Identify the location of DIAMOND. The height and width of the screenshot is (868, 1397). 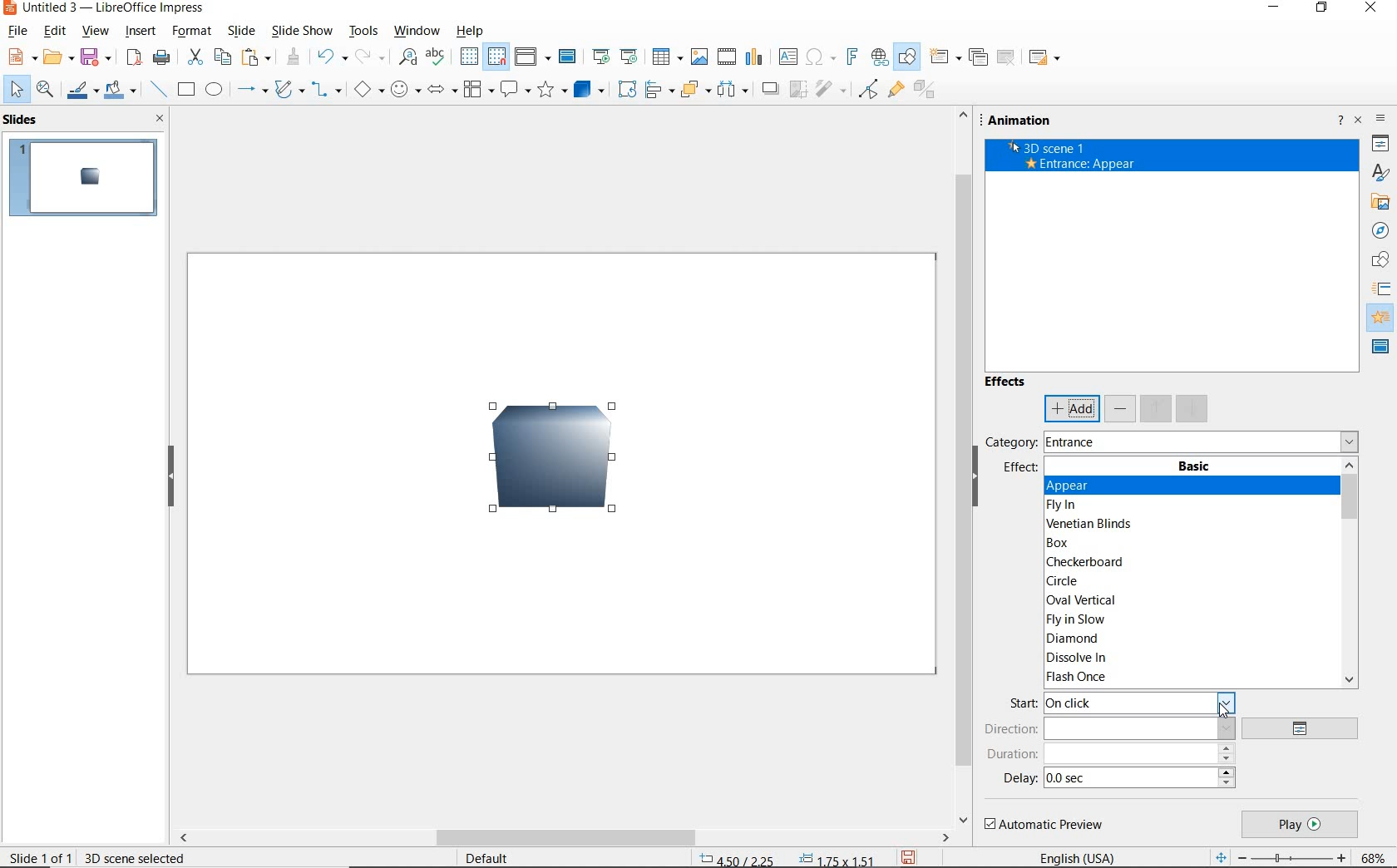
(1074, 640).